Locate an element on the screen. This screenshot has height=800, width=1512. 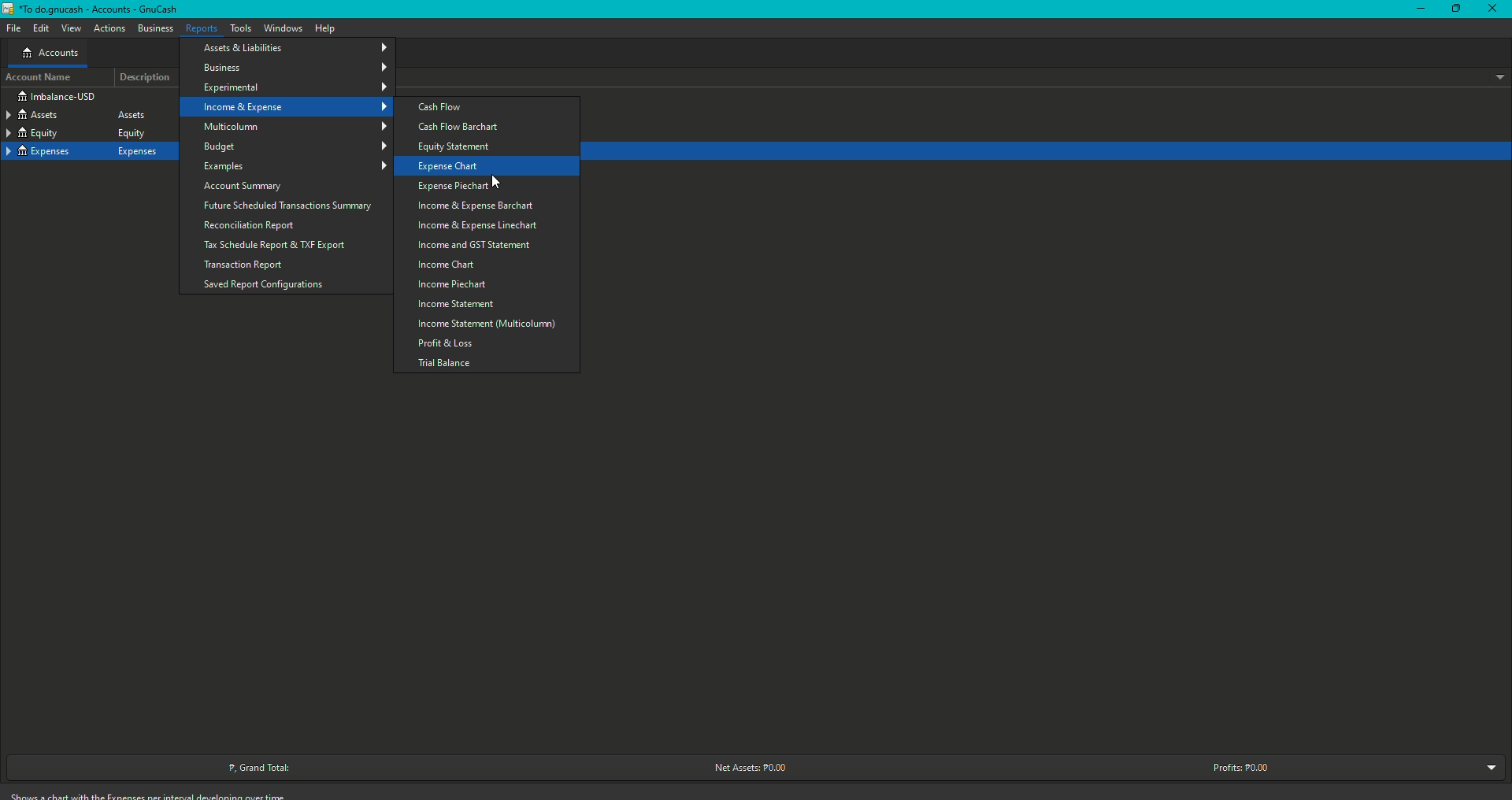
Tax Schedule Report is located at coordinates (278, 244).